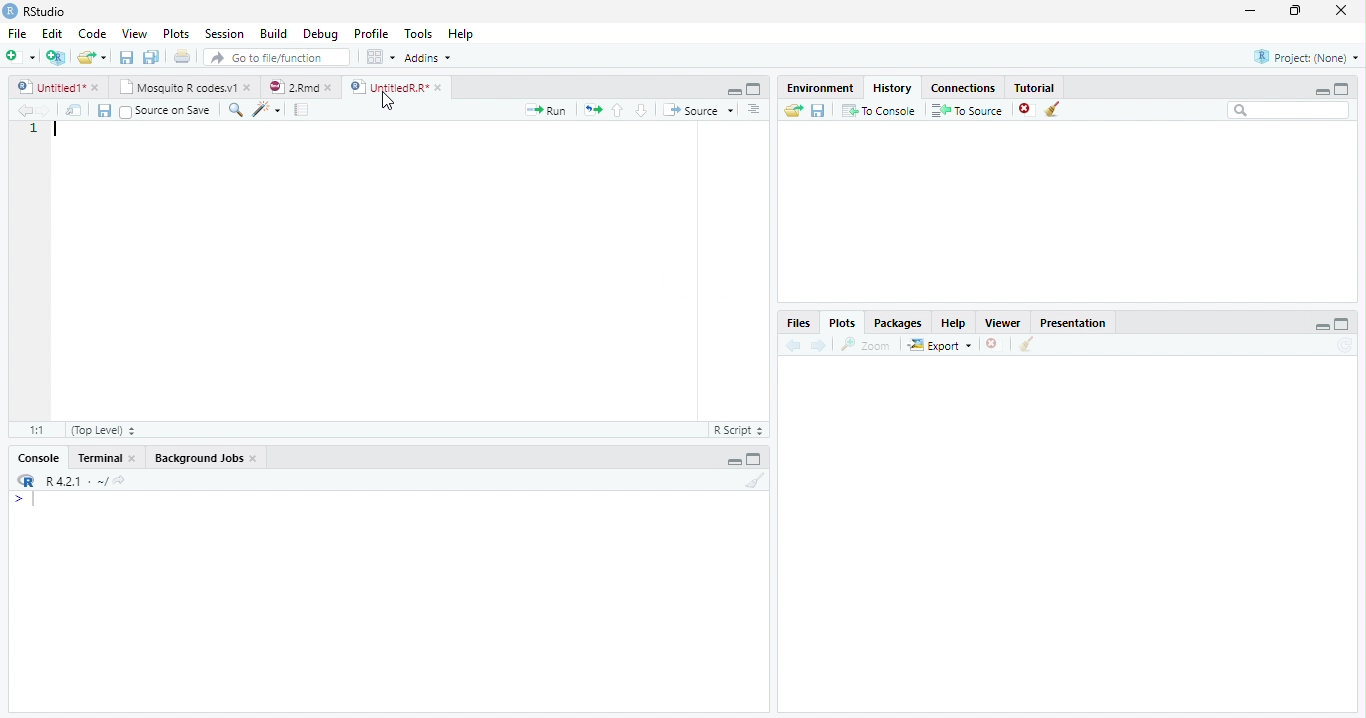  I want to click on Console, so click(39, 457).